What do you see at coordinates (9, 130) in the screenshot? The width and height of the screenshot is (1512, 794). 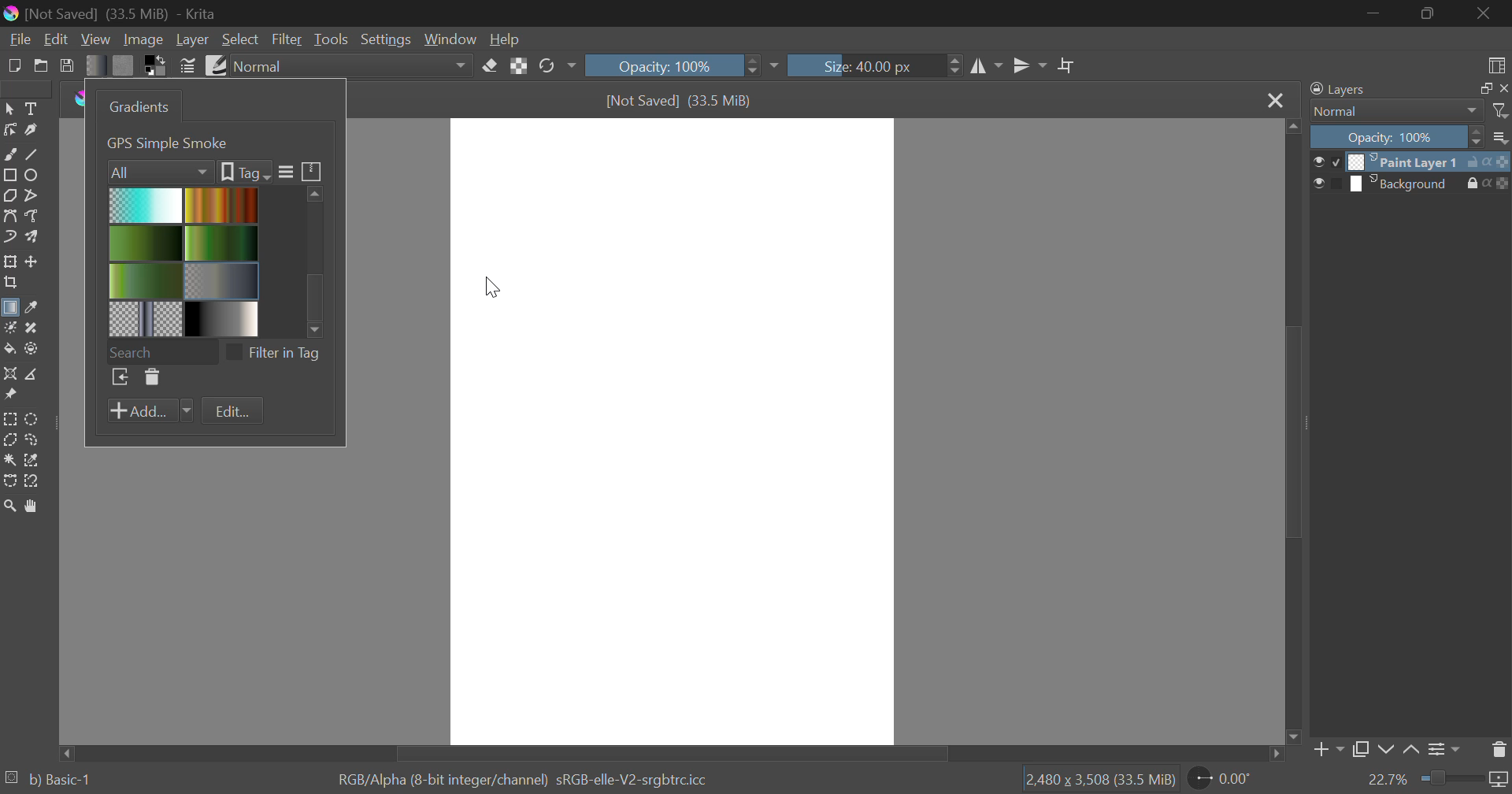 I see `Edit Shapes` at bounding box center [9, 130].